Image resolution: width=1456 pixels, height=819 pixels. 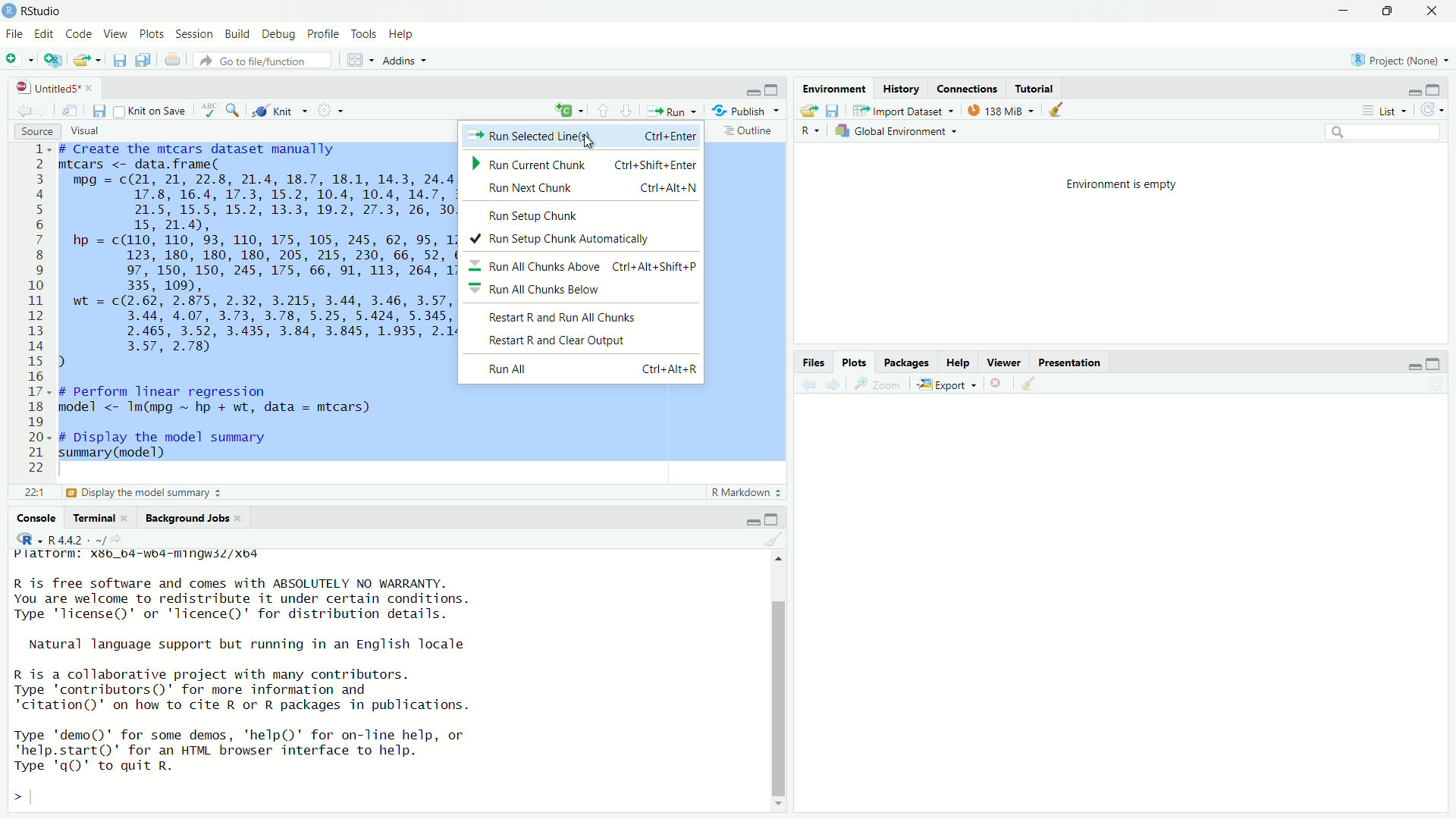 What do you see at coordinates (538, 268) in the screenshot?
I see `Run All Chunks Above` at bounding box center [538, 268].